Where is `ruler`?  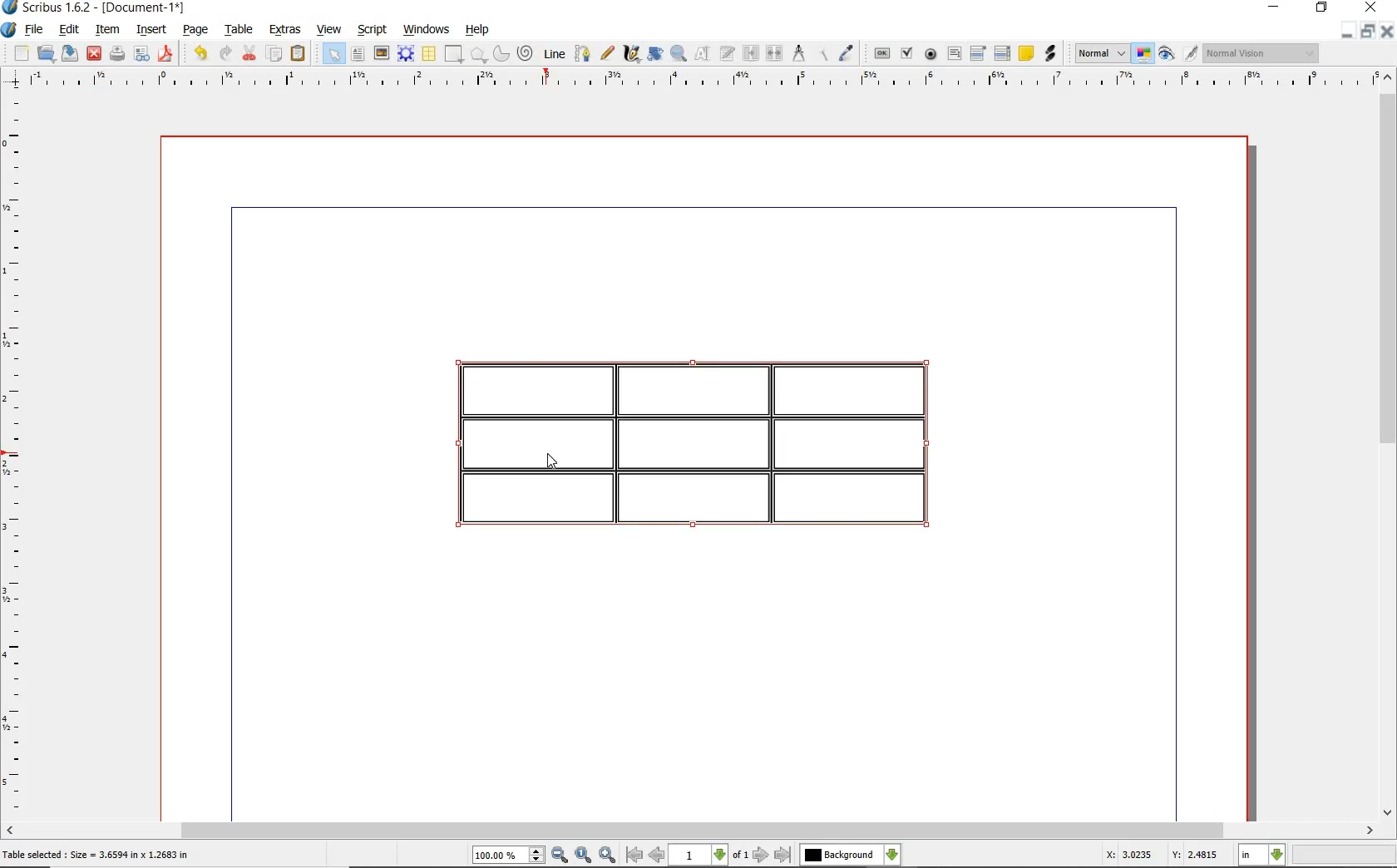
ruler is located at coordinates (17, 454).